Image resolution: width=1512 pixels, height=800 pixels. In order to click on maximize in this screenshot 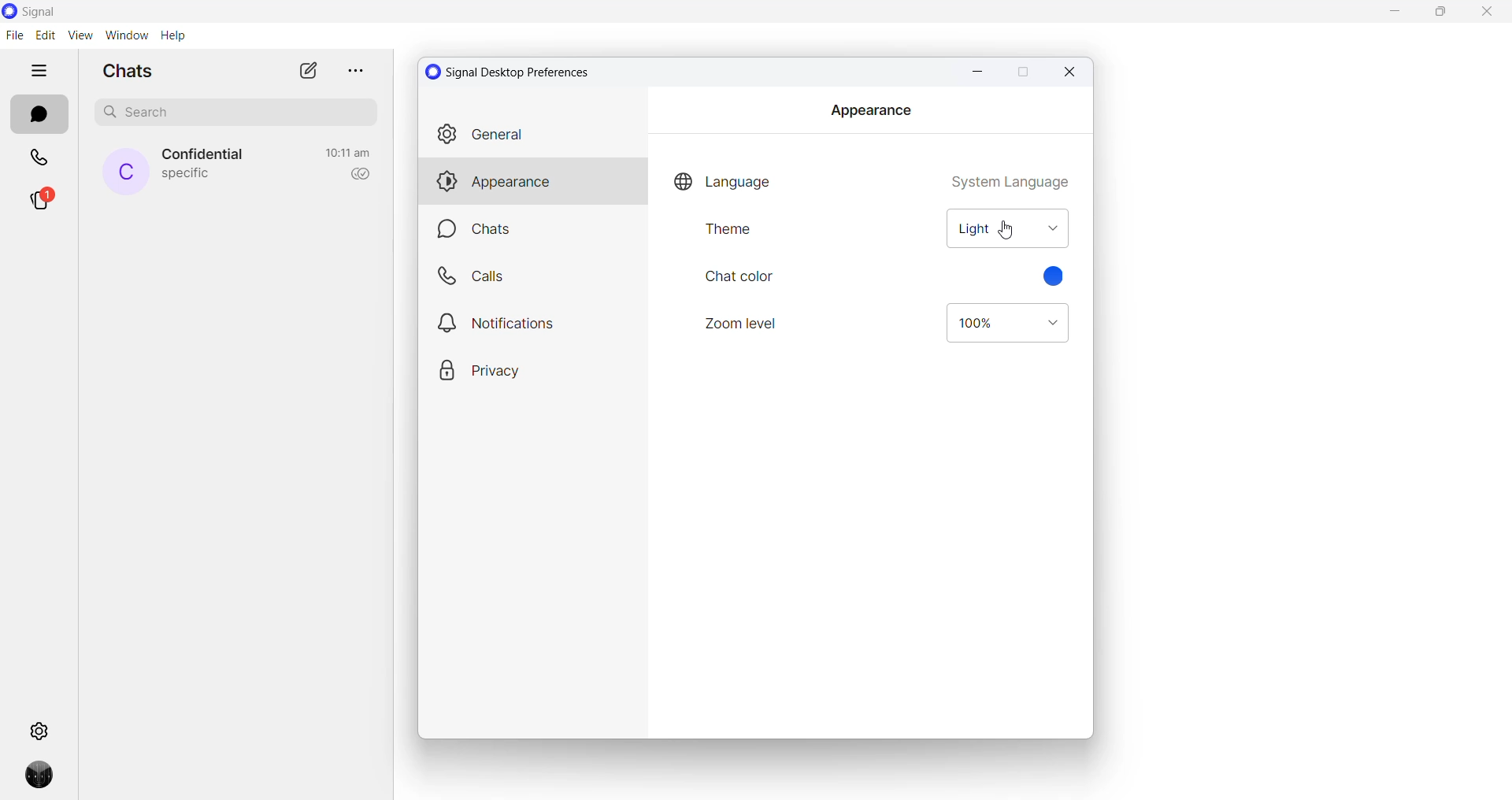, I will do `click(1445, 13)`.